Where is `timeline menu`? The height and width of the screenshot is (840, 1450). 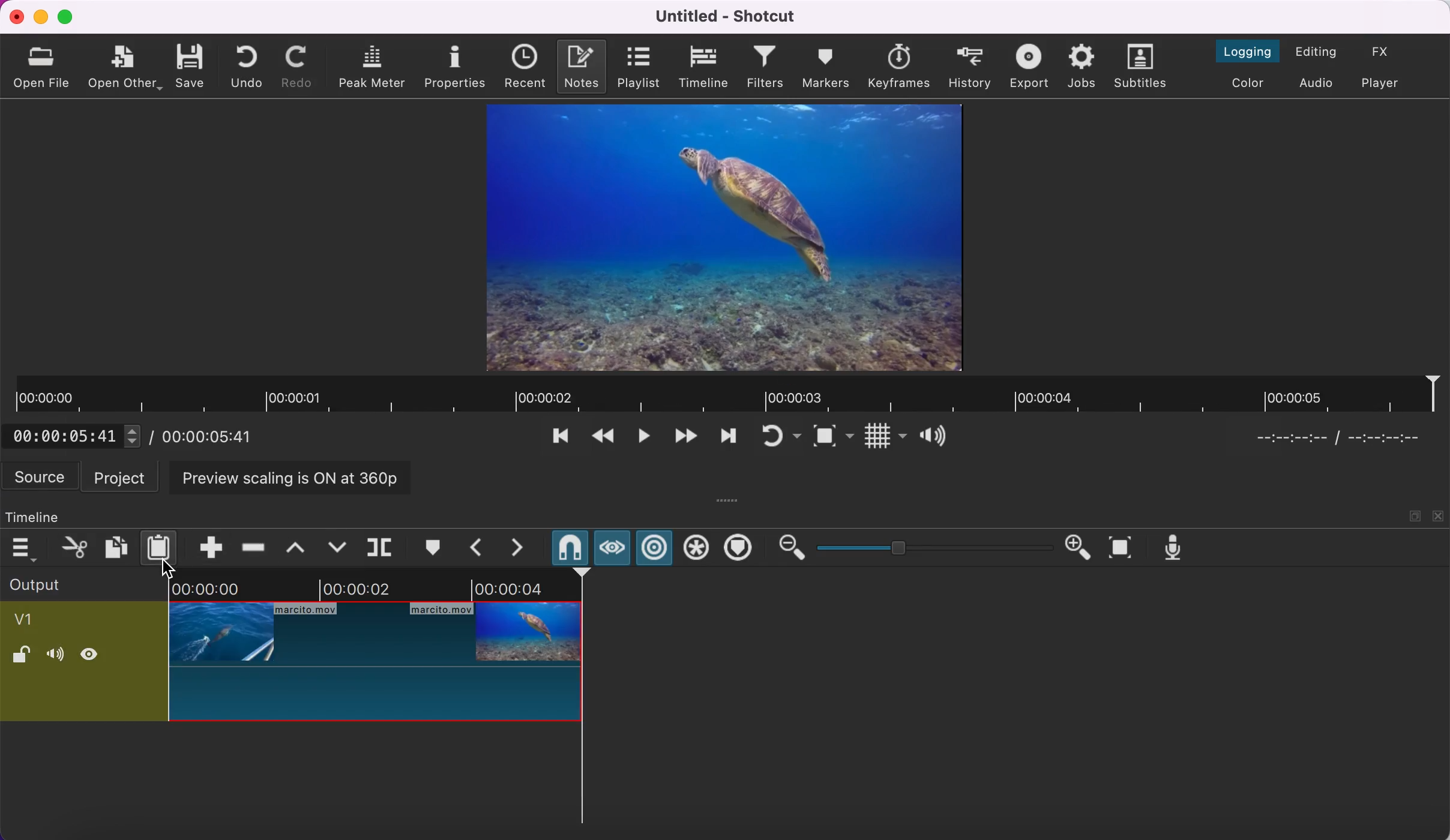
timeline menu is located at coordinates (25, 546).